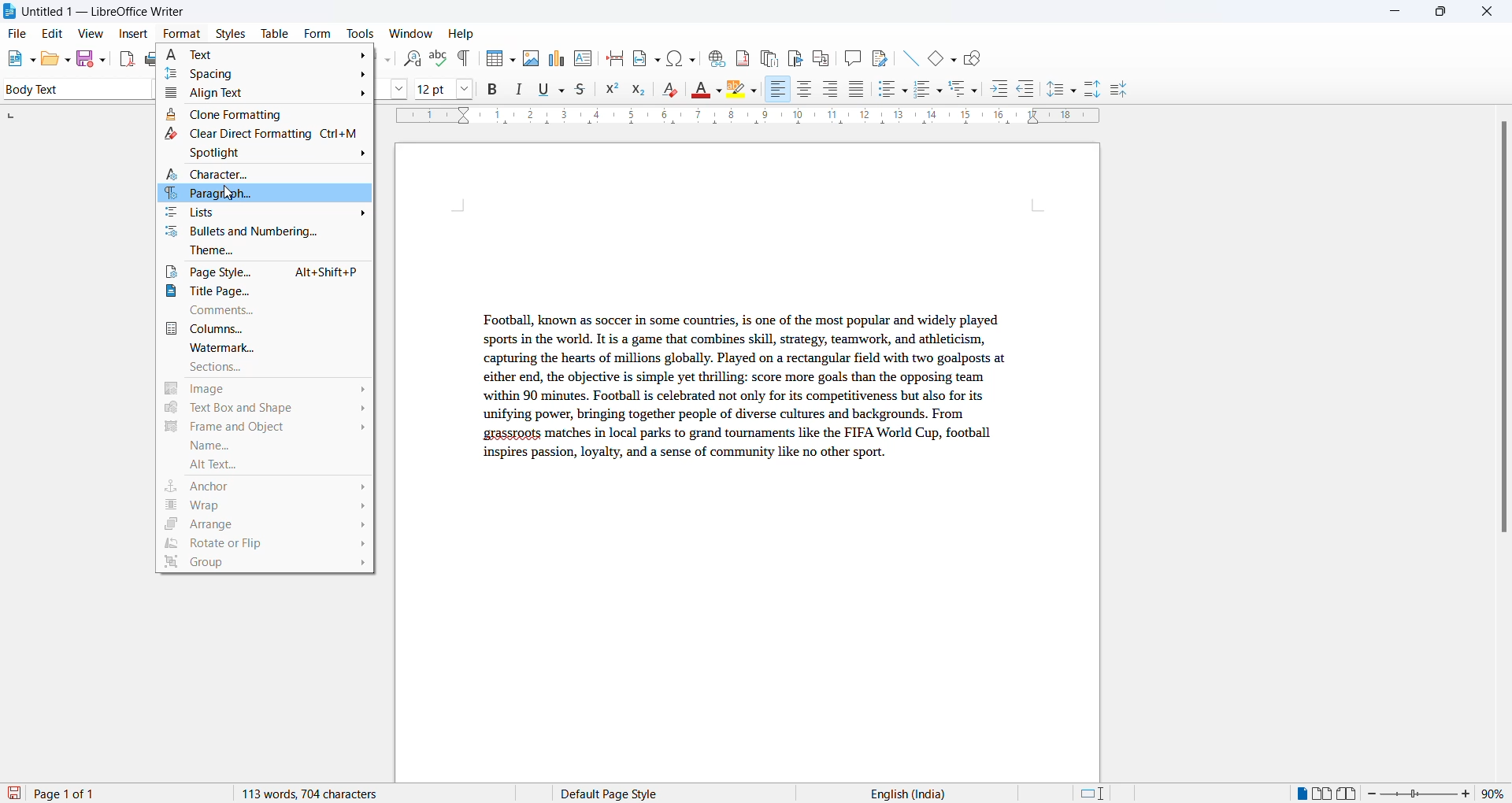 The height and width of the screenshot is (803, 1512). I want to click on insert bookmarks, so click(795, 56).